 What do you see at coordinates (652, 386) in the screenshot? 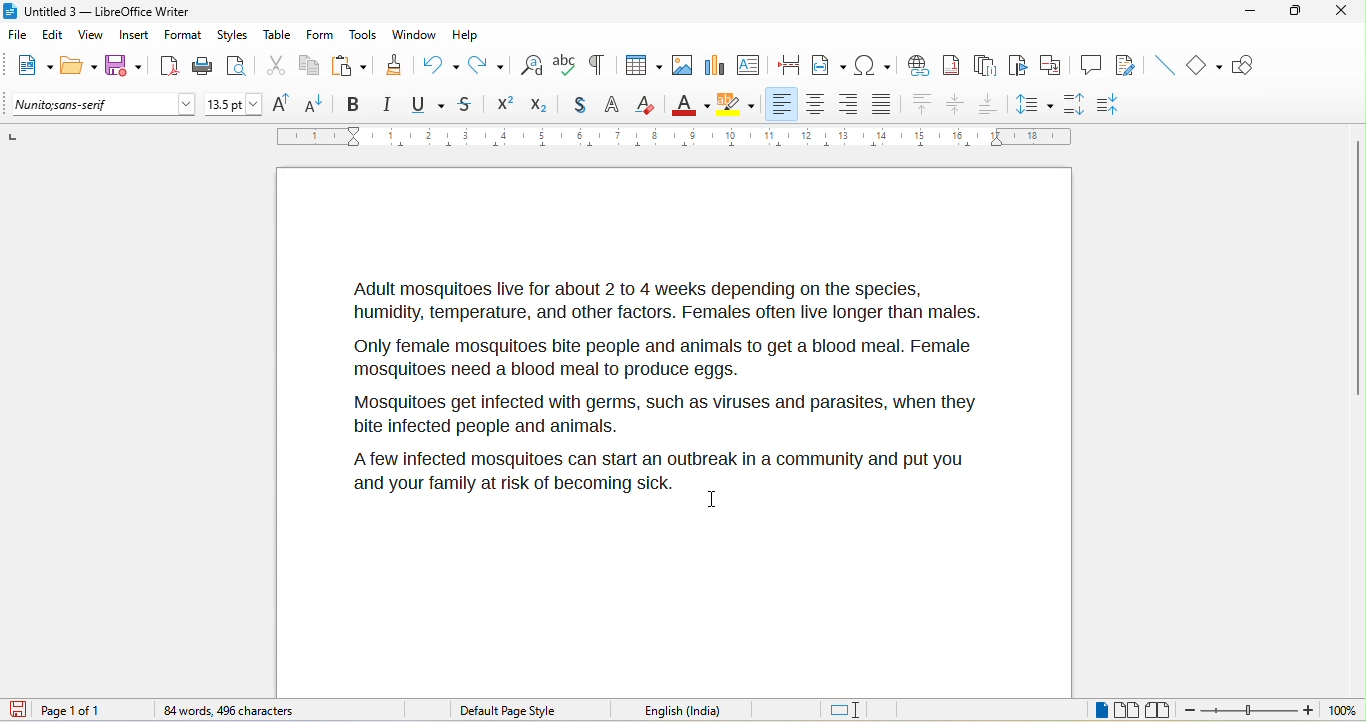
I see `text` at bounding box center [652, 386].